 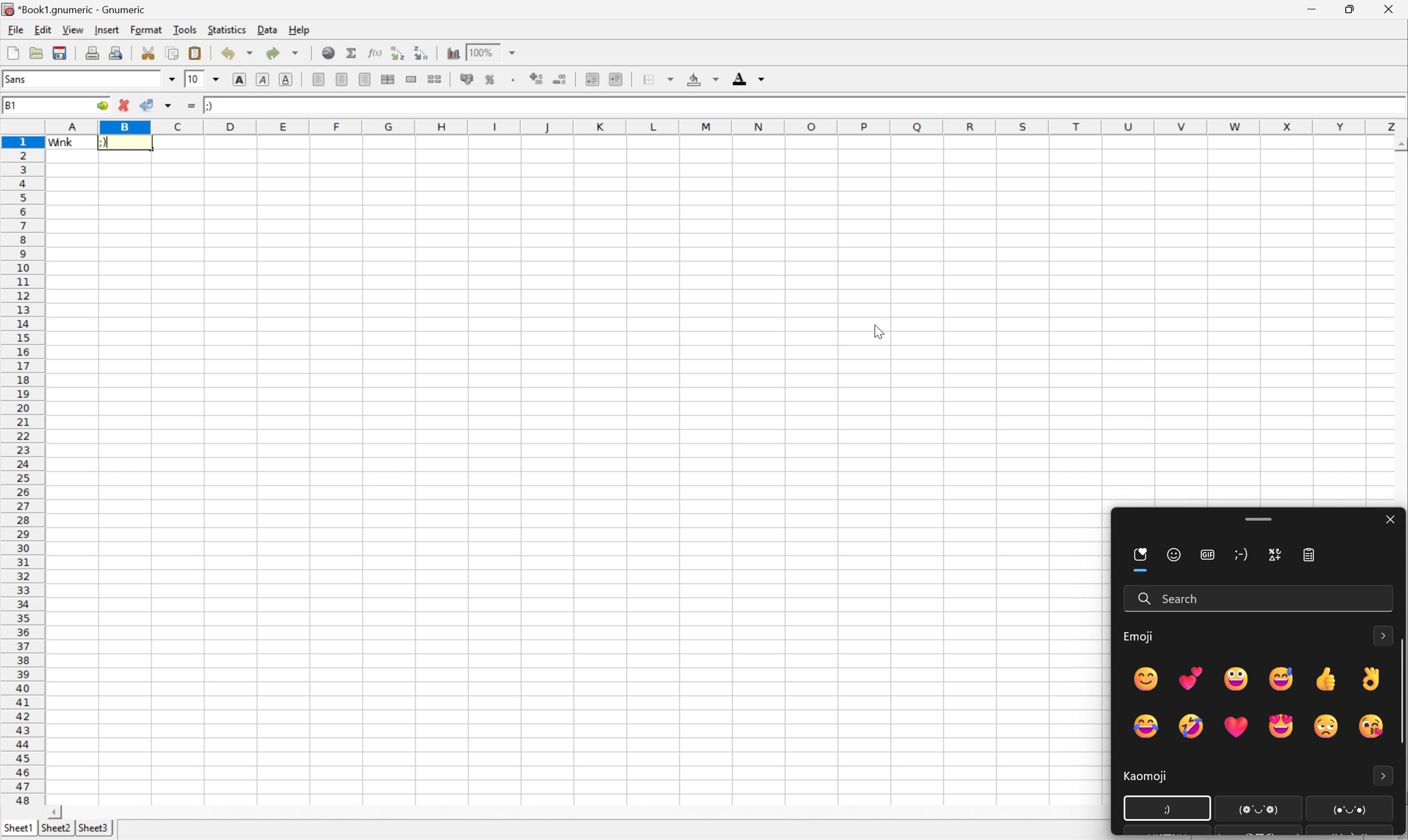 What do you see at coordinates (191, 106) in the screenshot?
I see `enter formula` at bounding box center [191, 106].